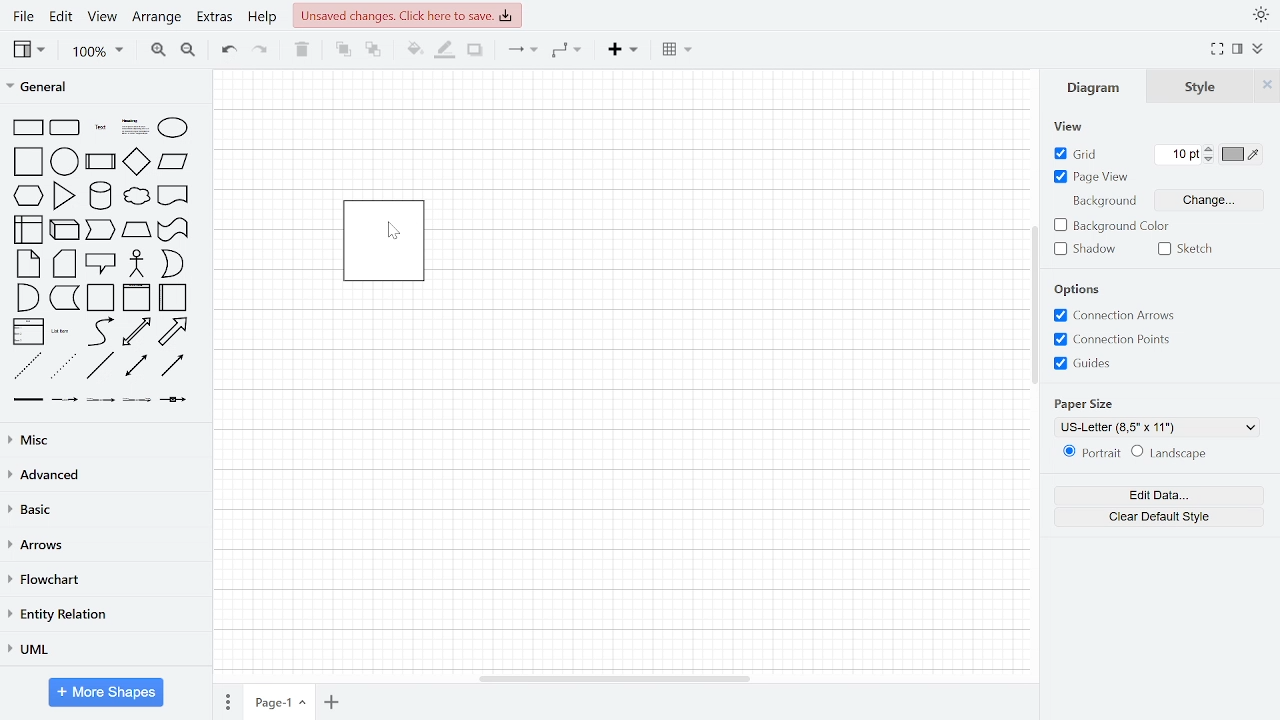 This screenshot has height=720, width=1280. I want to click on actor, so click(137, 264).